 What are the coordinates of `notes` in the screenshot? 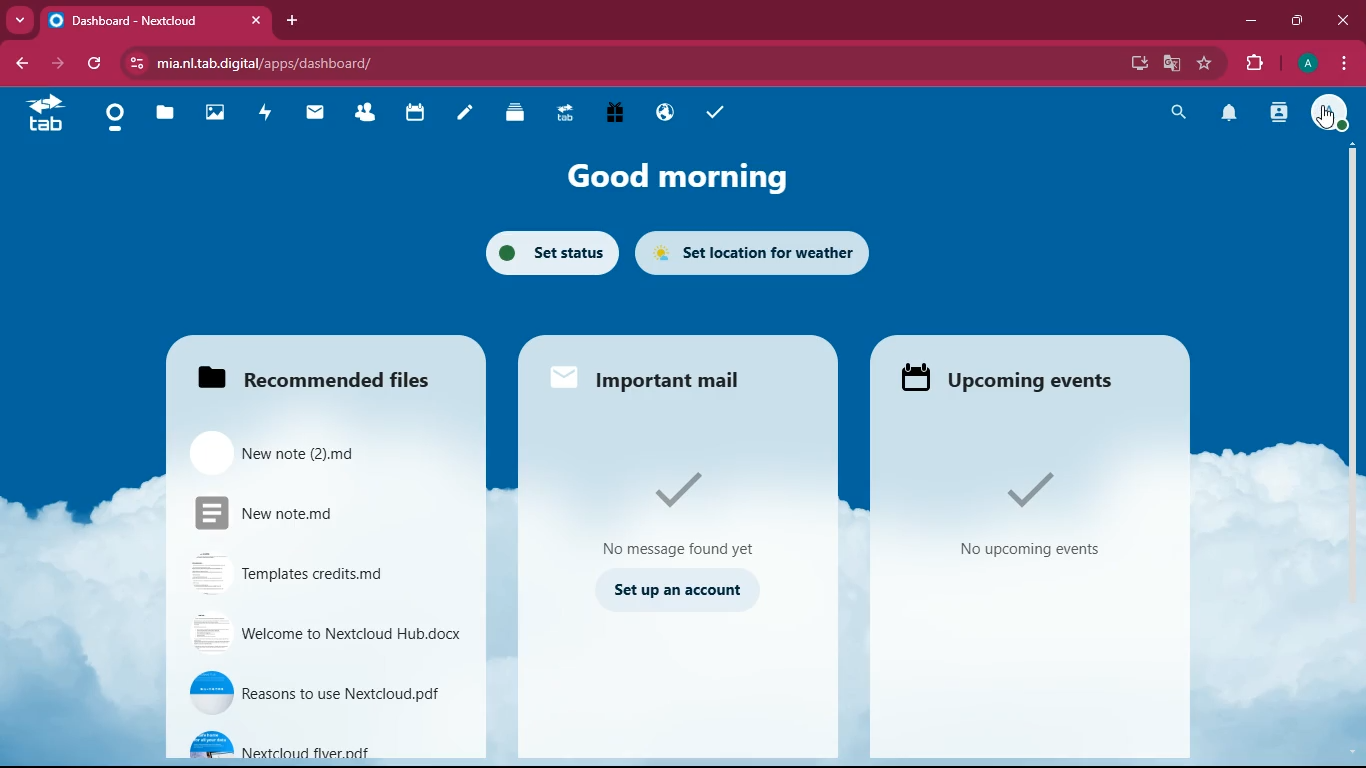 It's located at (464, 116).